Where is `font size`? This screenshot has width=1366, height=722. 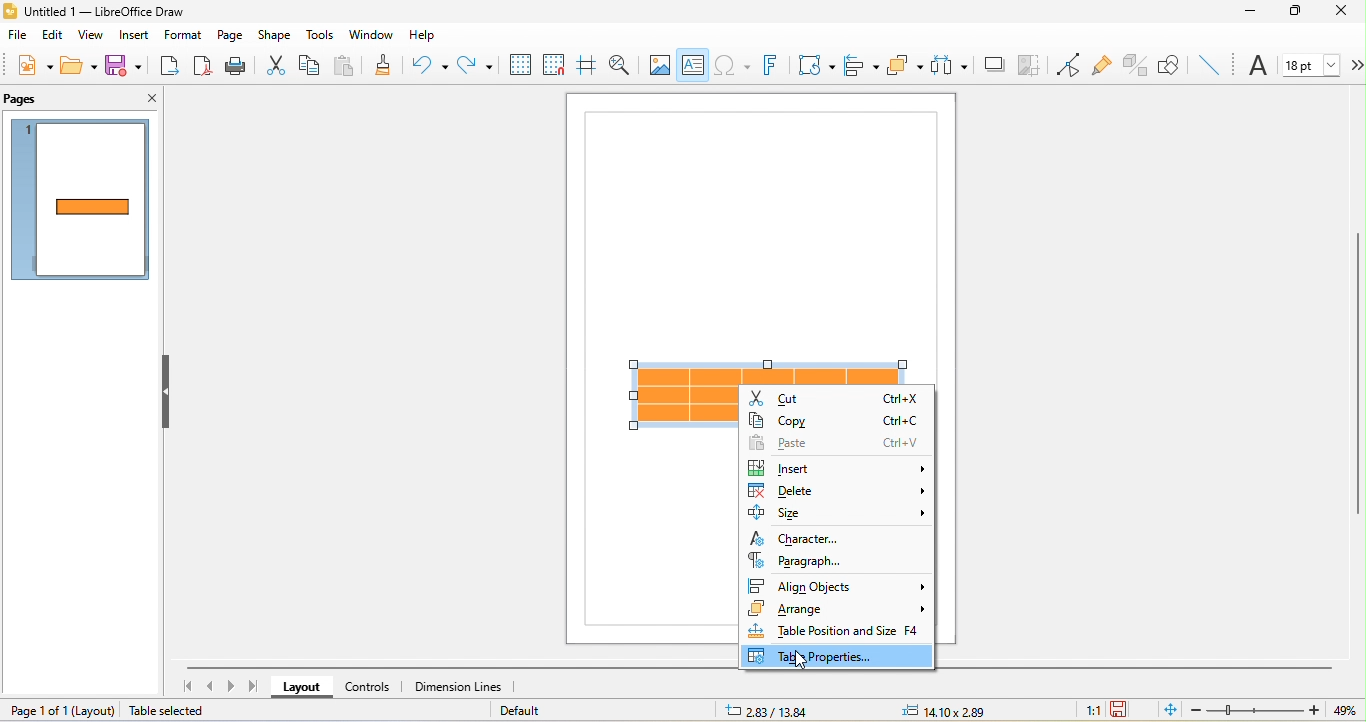
font size is located at coordinates (1314, 64).